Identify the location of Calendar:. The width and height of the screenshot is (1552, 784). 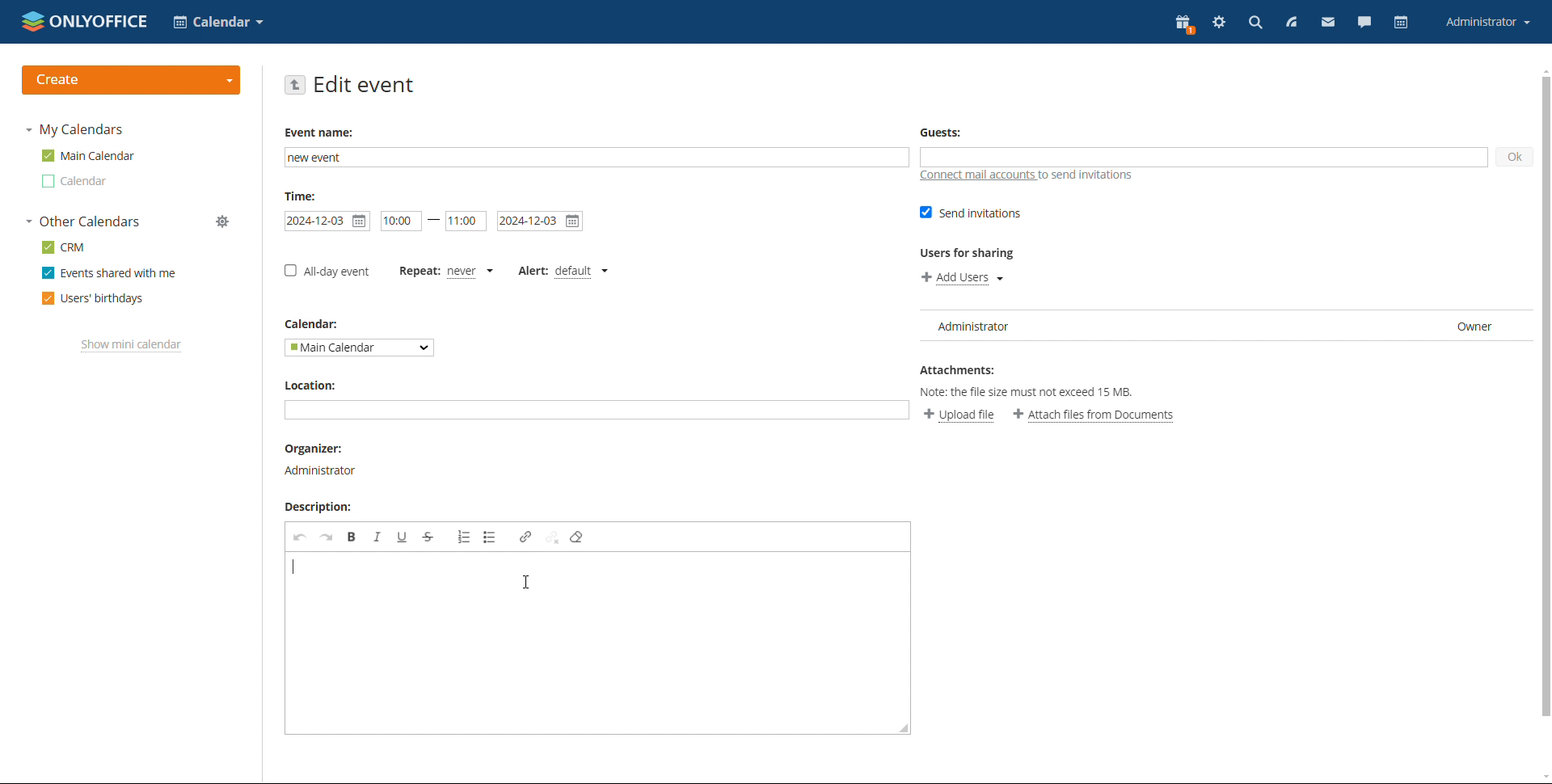
(313, 323).